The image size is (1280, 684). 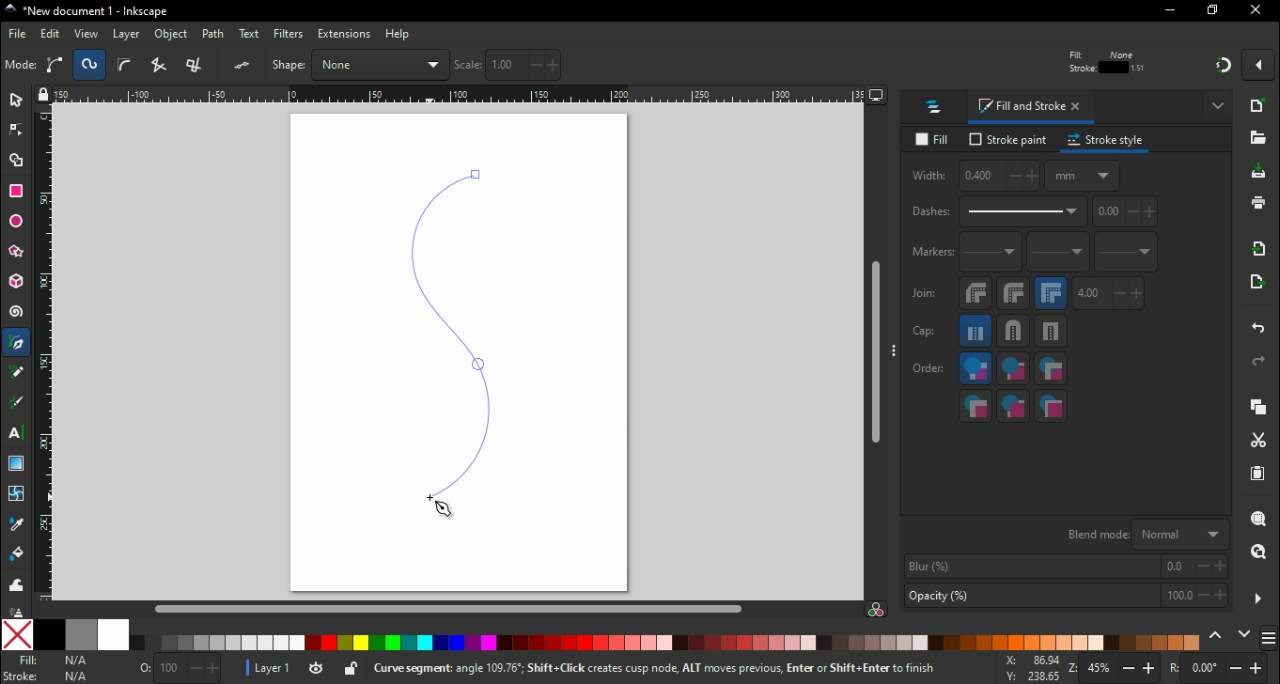 I want to click on horizontal ruler, so click(x=461, y=97).